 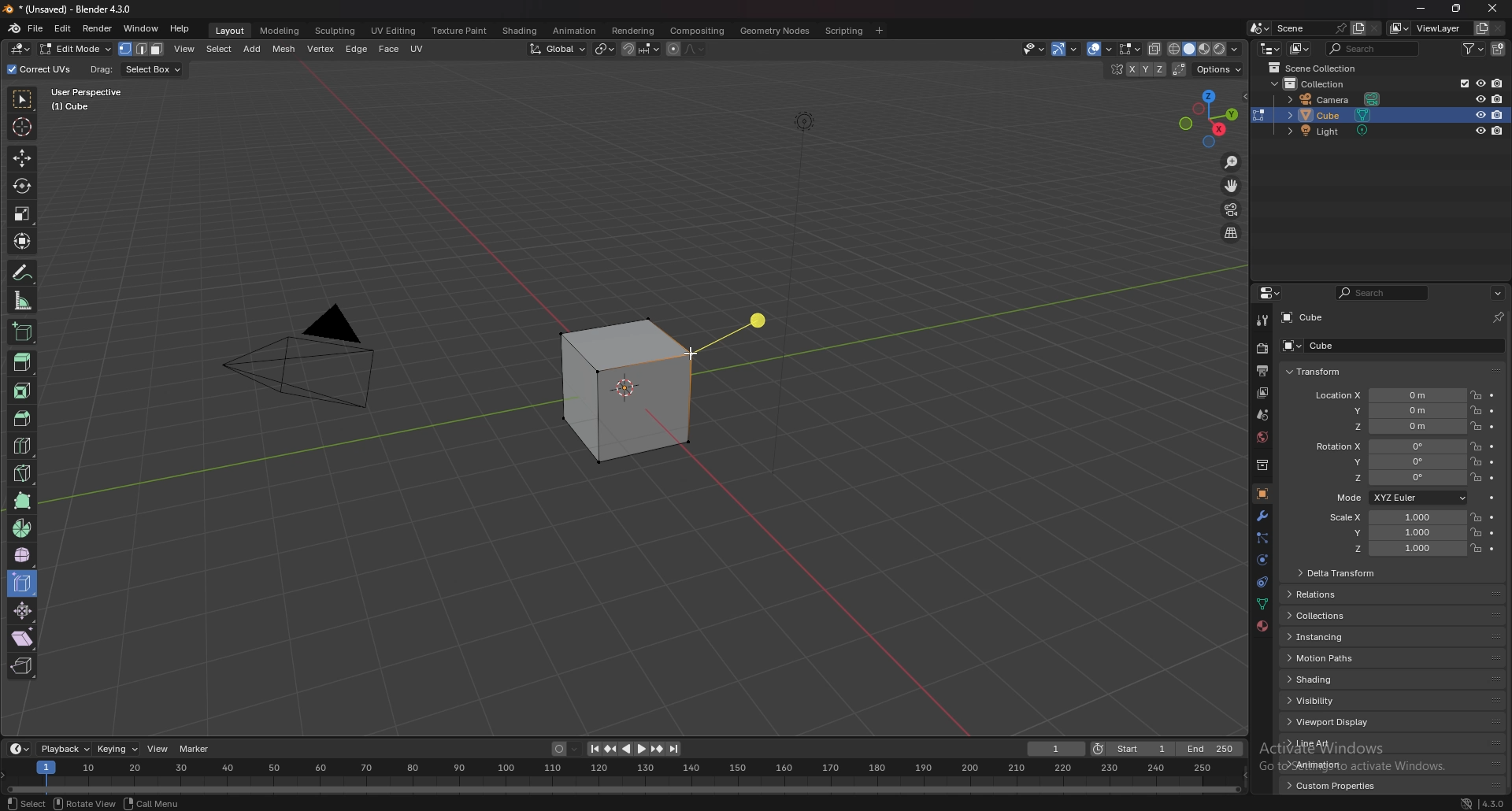 What do you see at coordinates (1478, 98) in the screenshot?
I see `hide in viewport` at bounding box center [1478, 98].